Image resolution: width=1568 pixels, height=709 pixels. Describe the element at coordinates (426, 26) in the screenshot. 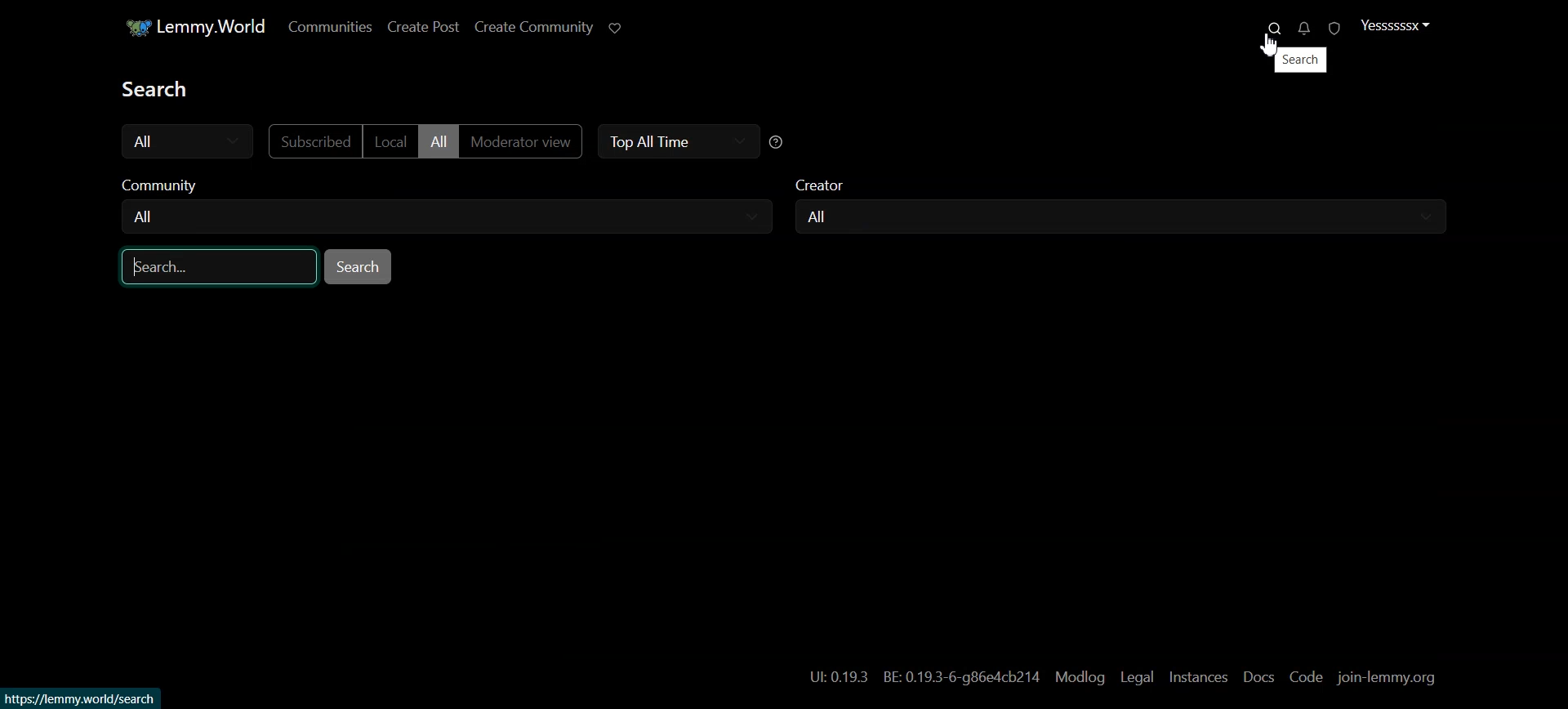

I see `Create Post` at that location.